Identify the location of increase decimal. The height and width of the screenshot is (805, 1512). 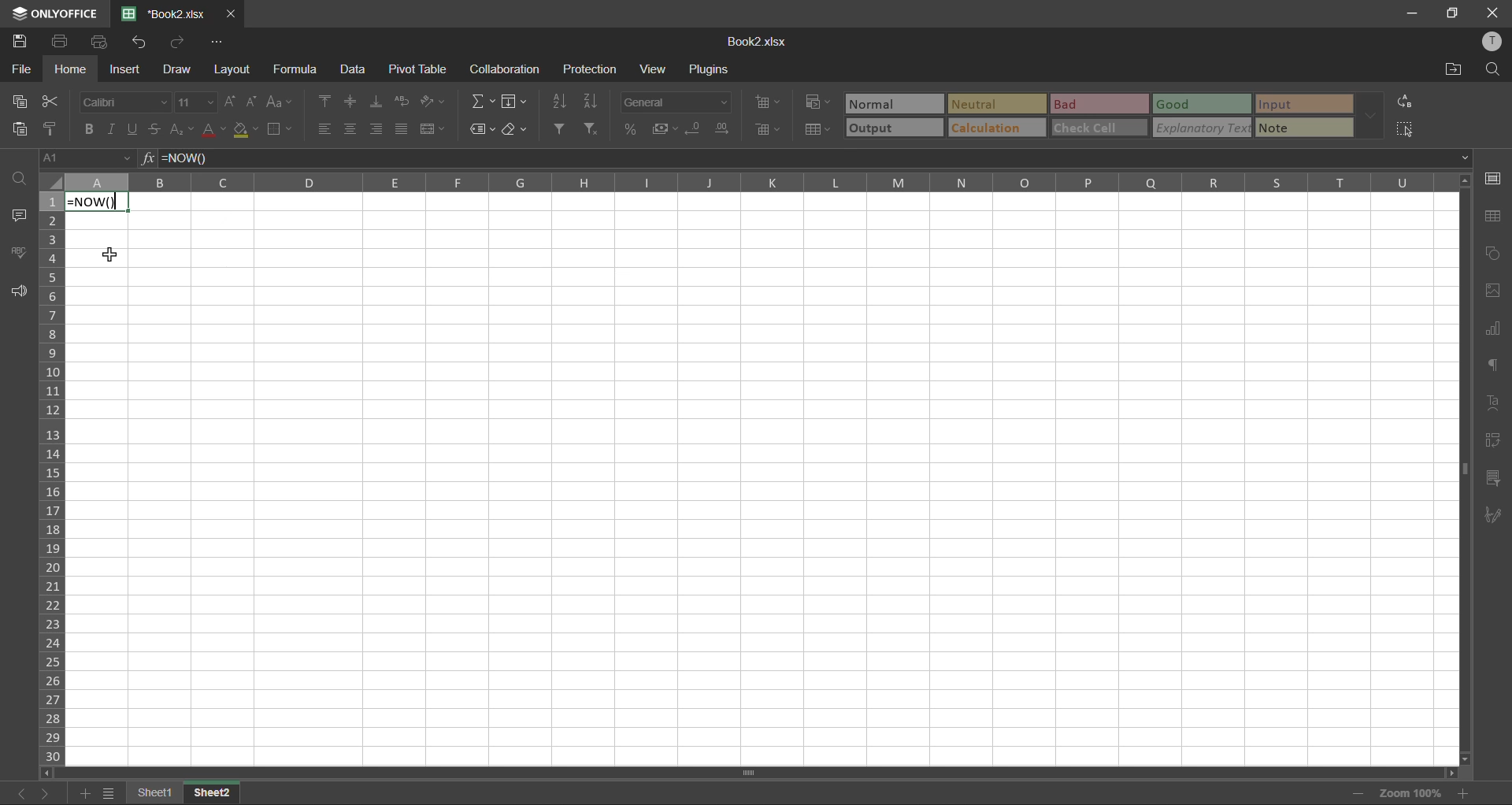
(726, 129).